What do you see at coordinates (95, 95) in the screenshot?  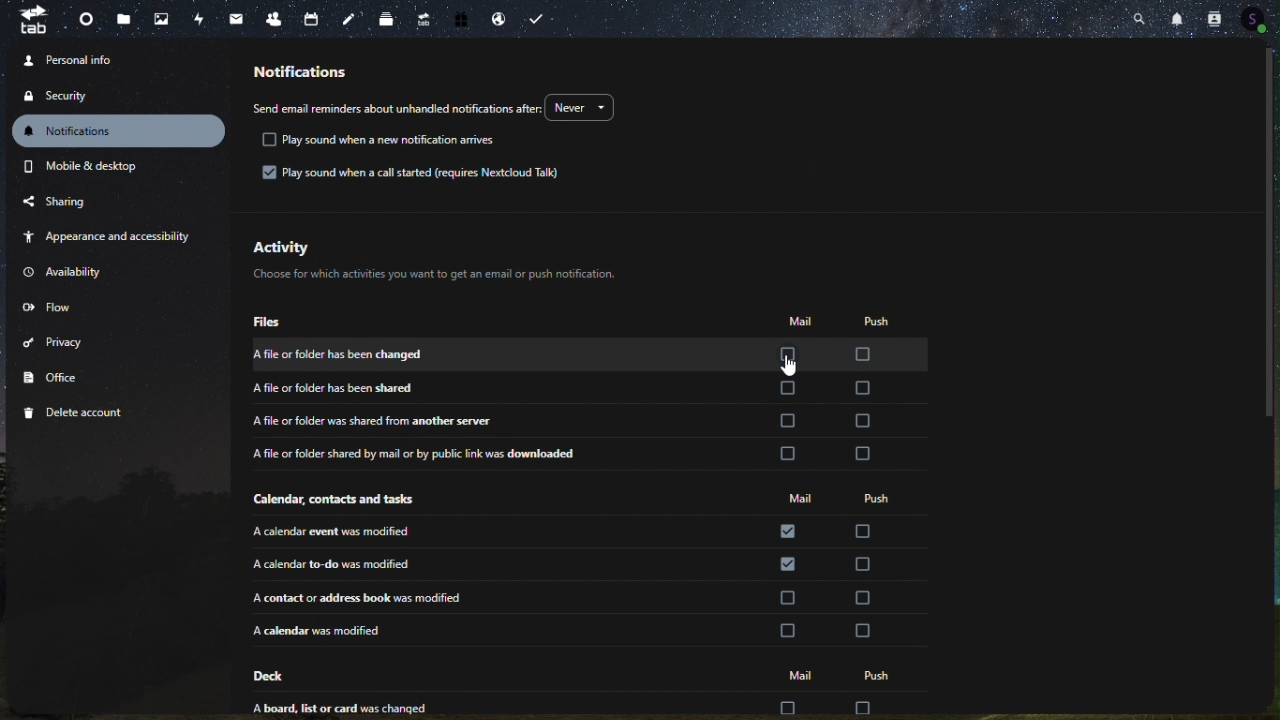 I see `security` at bounding box center [95, 95].